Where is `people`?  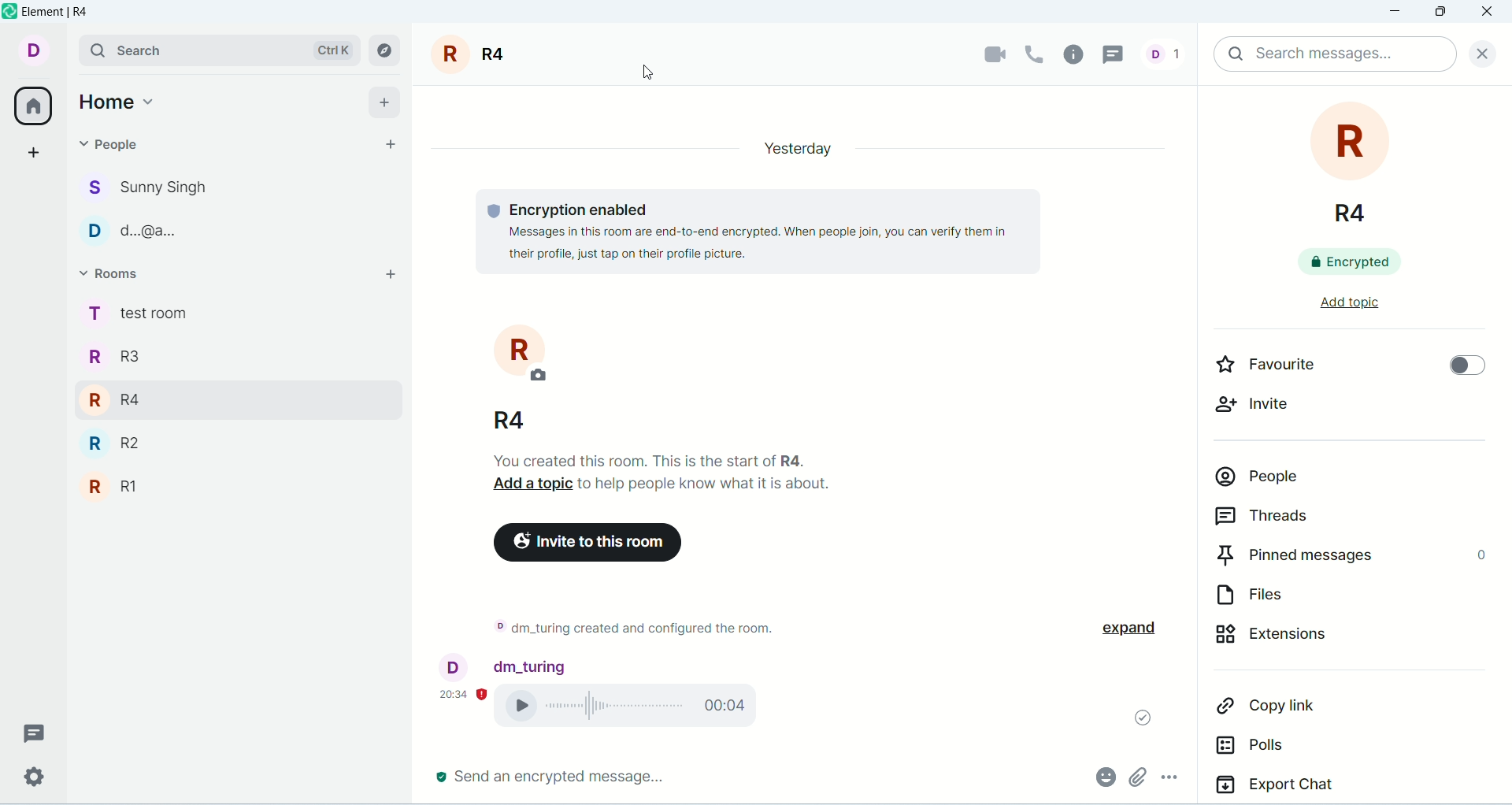
people is located at coordinates (1333, 483).